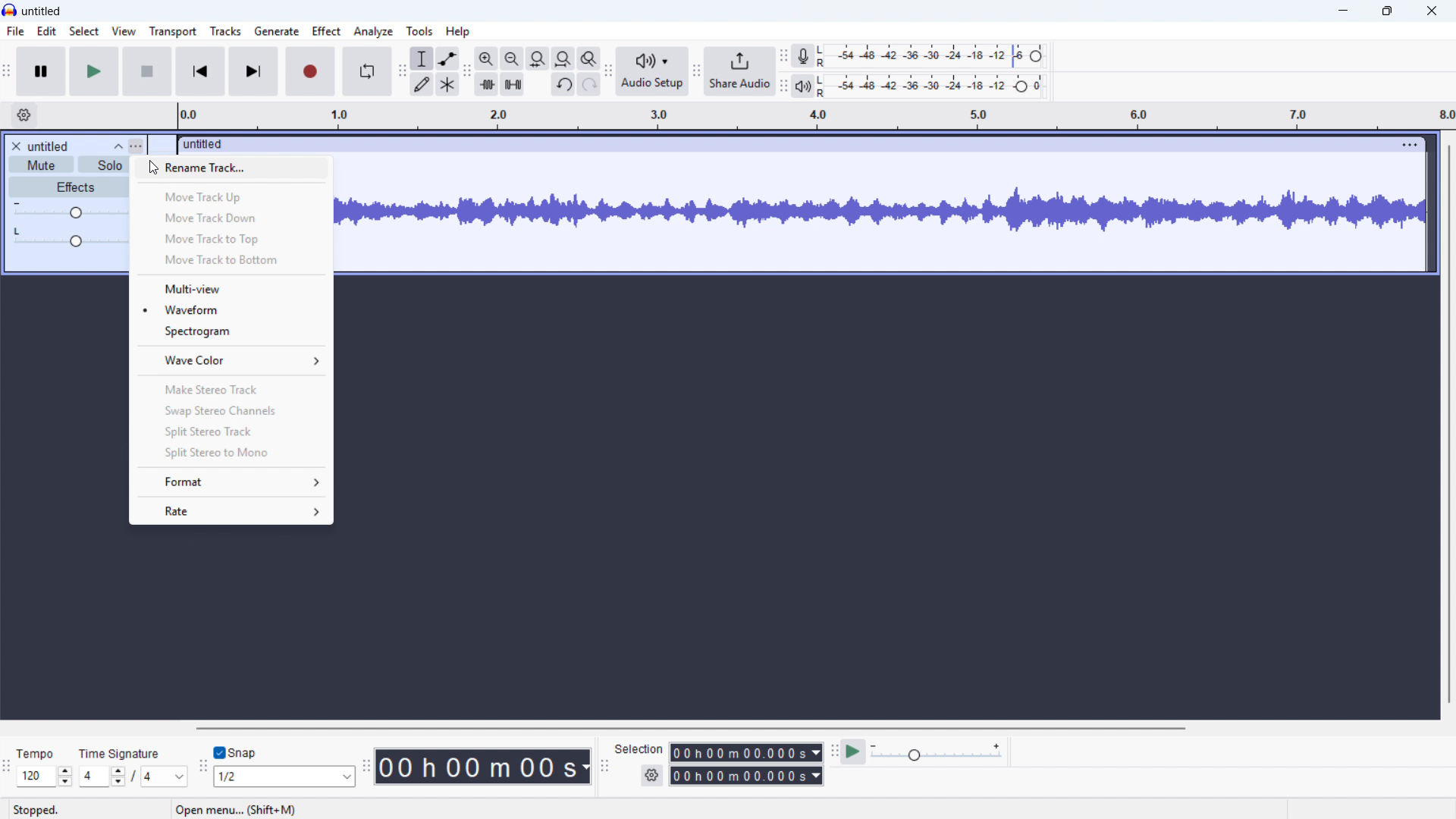  I want to click on Zoom in , so click(487, 58).